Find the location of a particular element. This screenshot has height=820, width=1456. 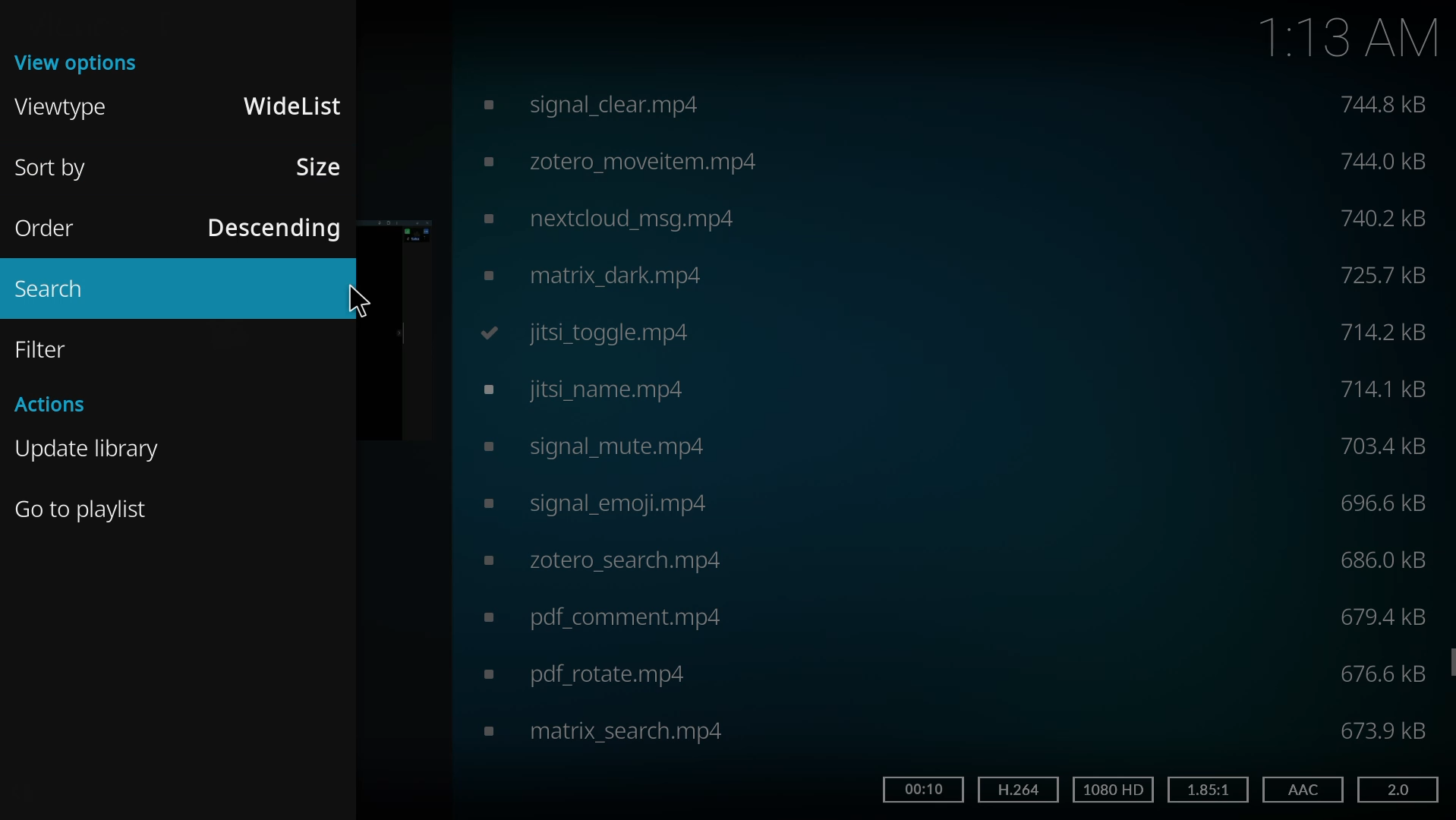

actions is located at coordinates (61, 406).